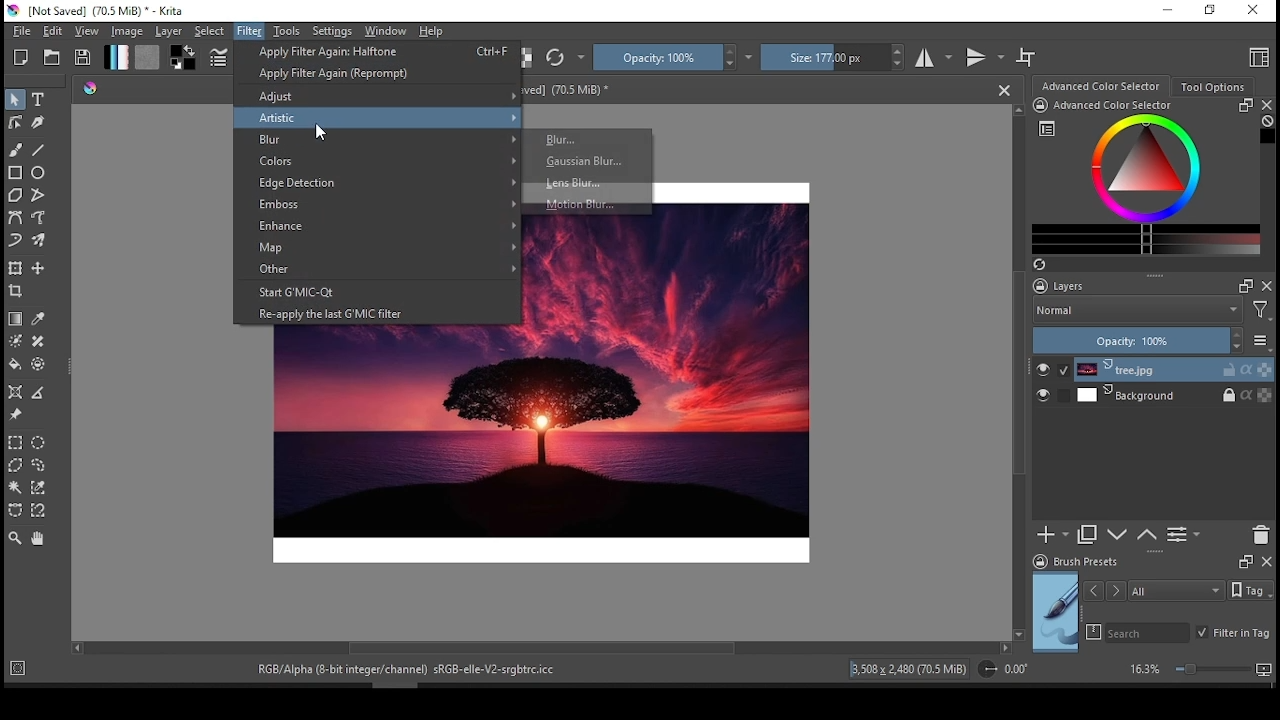 The width and height of the screenshot is (1280, 720). What do you see at coordinates (38, 393) in the screenshot?
I see `measure the distance between two points` at bounding box center [38, 393].